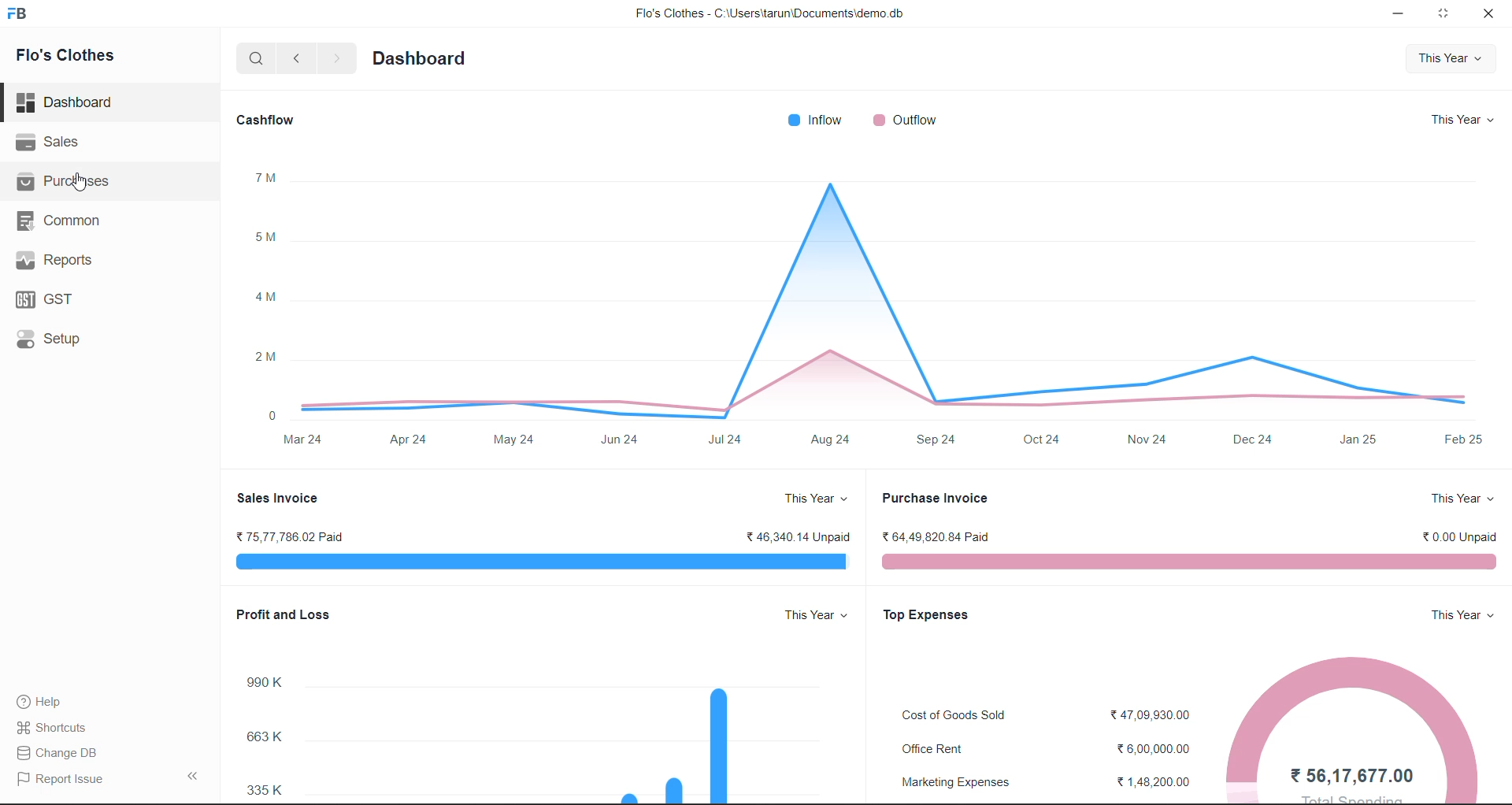 Image resolution: width=1512 pixels, height=805 pixels. What do you see at coordinates (336, 58) in the screenshot?
I see `next` at bounding box center [336, 58].